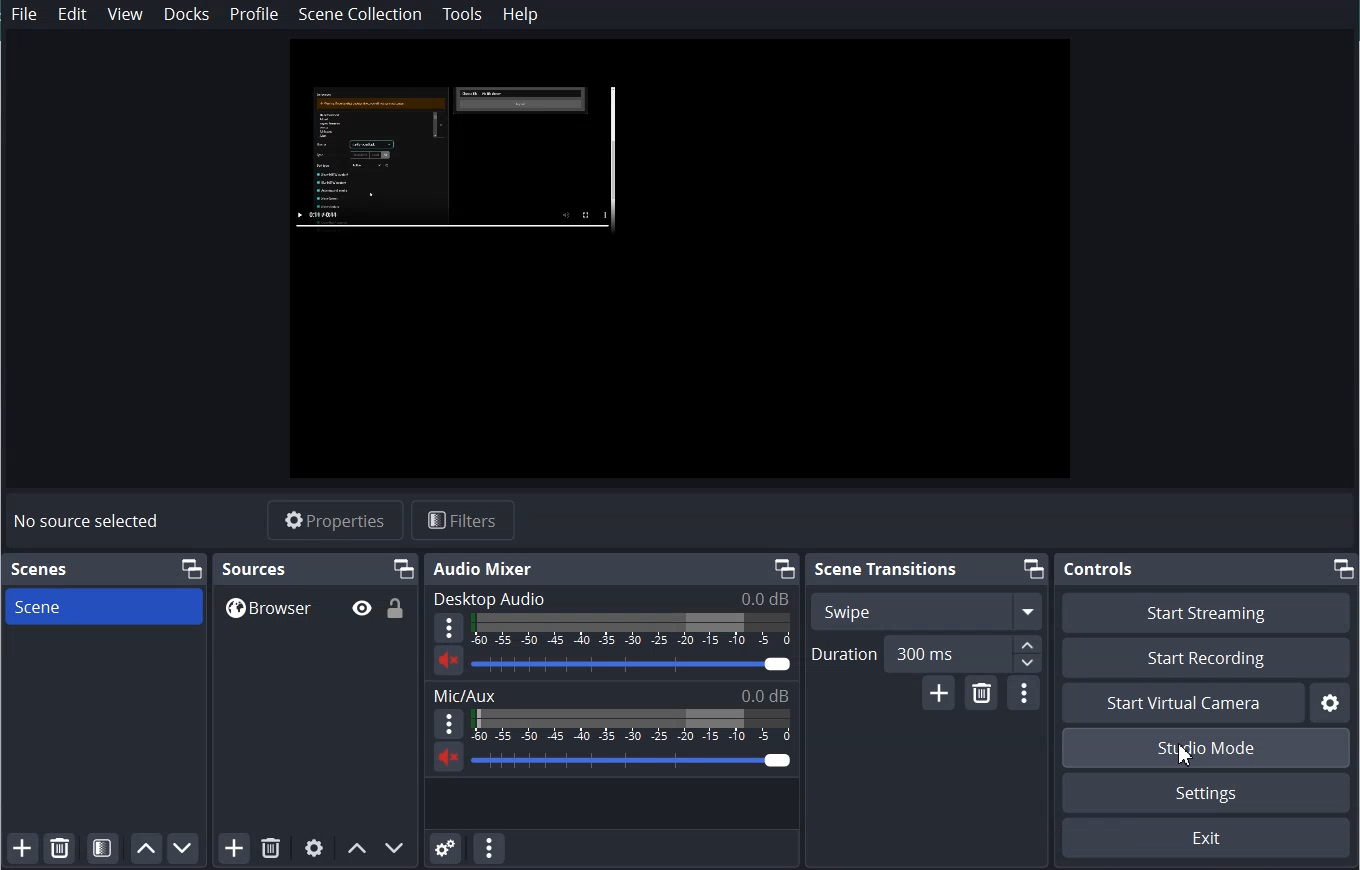  I want to click on Remove Configurable Transition, so click(981, 693).